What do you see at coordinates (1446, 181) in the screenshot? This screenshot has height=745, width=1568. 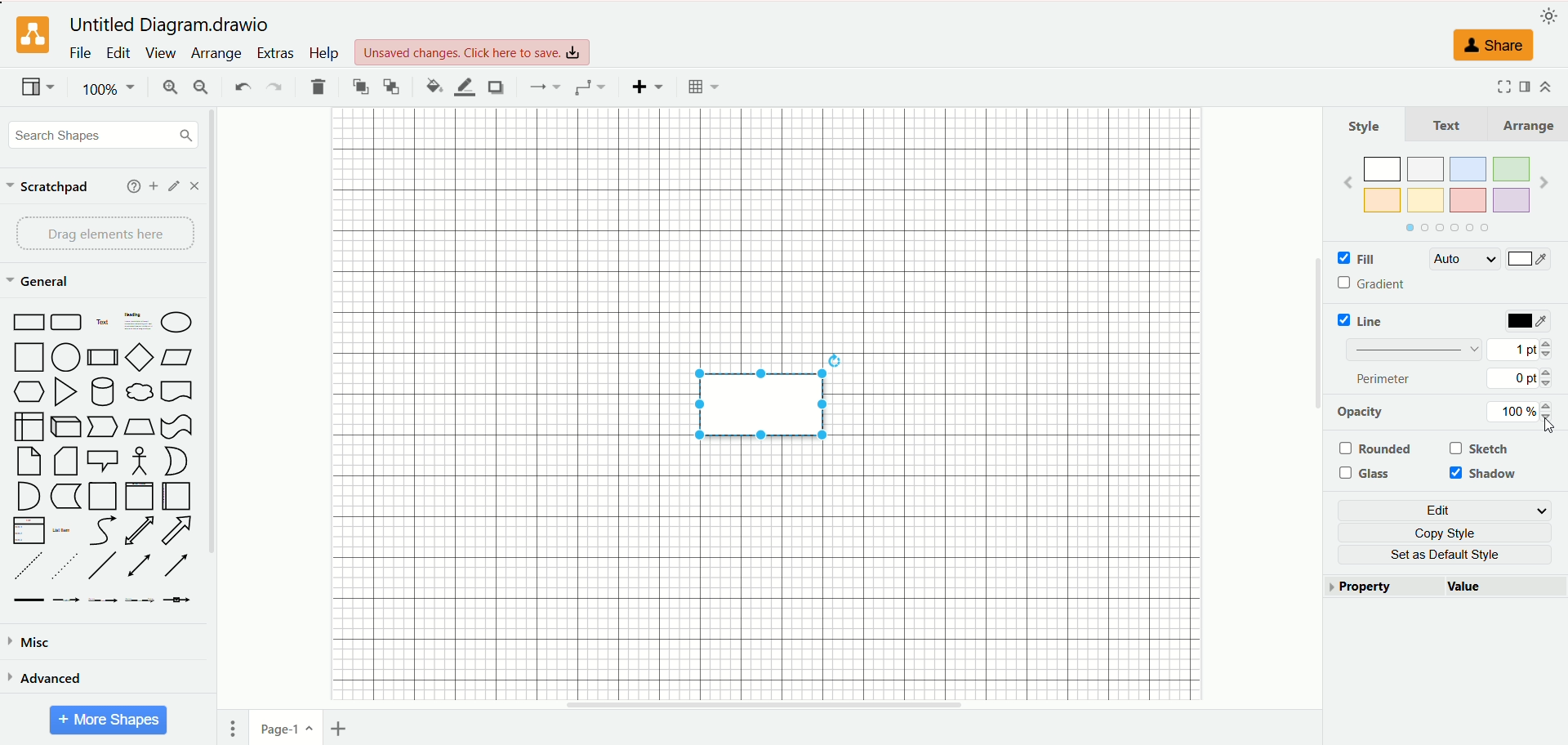 I see `colors` at bounding box center [1446, 181].